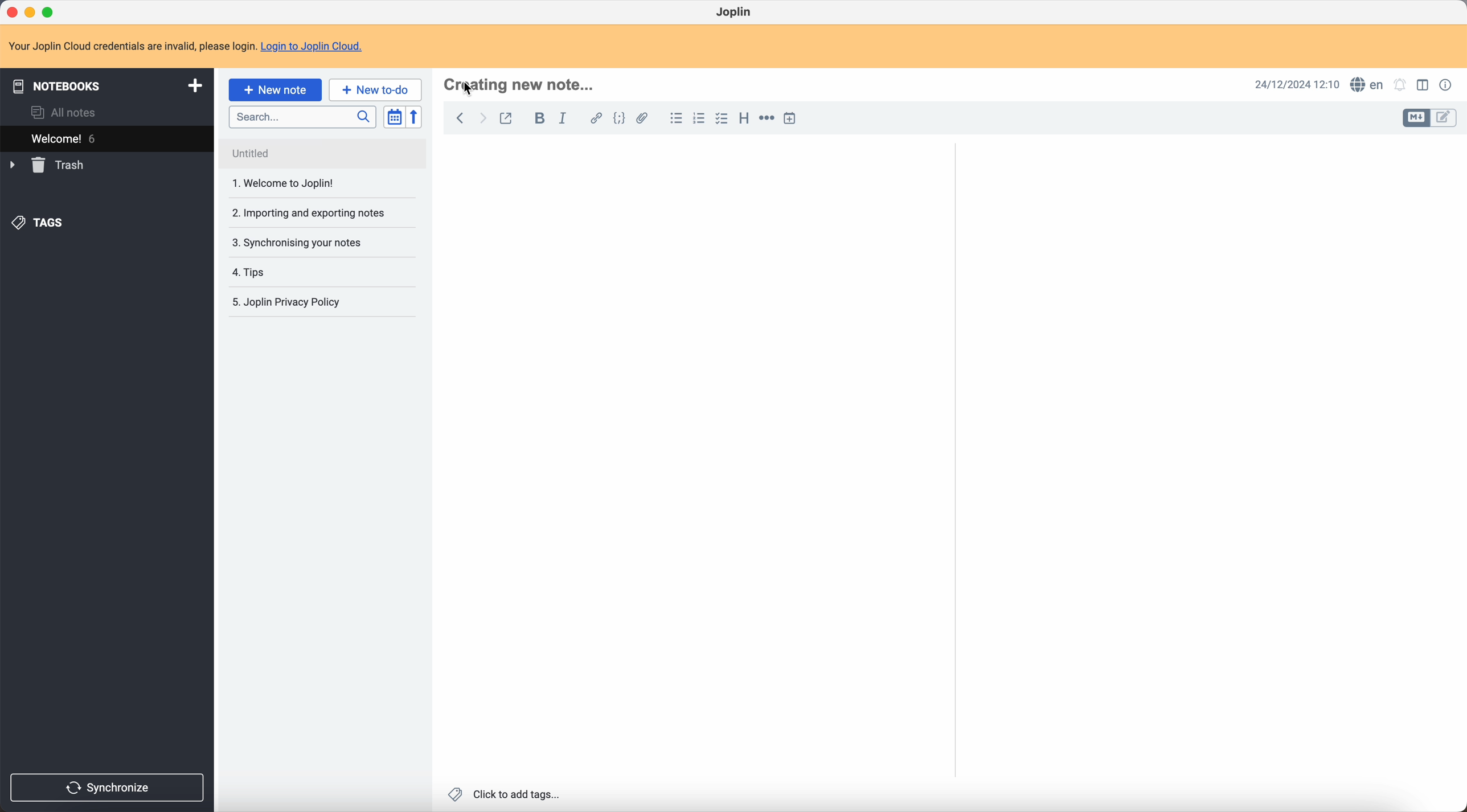  What do you see at coordinates (302, 116) in the screenshot?
I see `search bar` at bounding box center [302, 116].